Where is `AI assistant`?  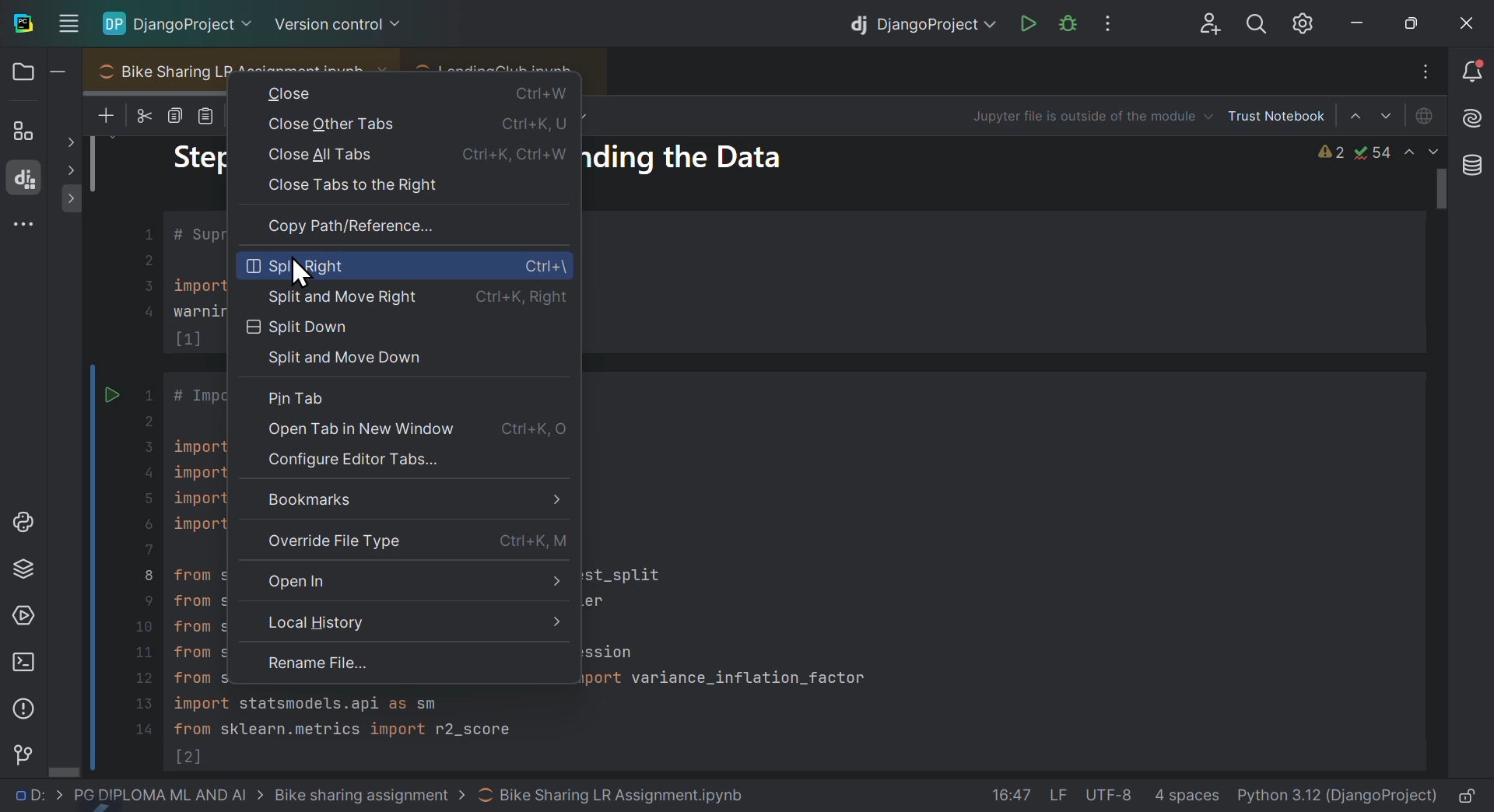 AI assistant is located at coordinates (1476, 120).